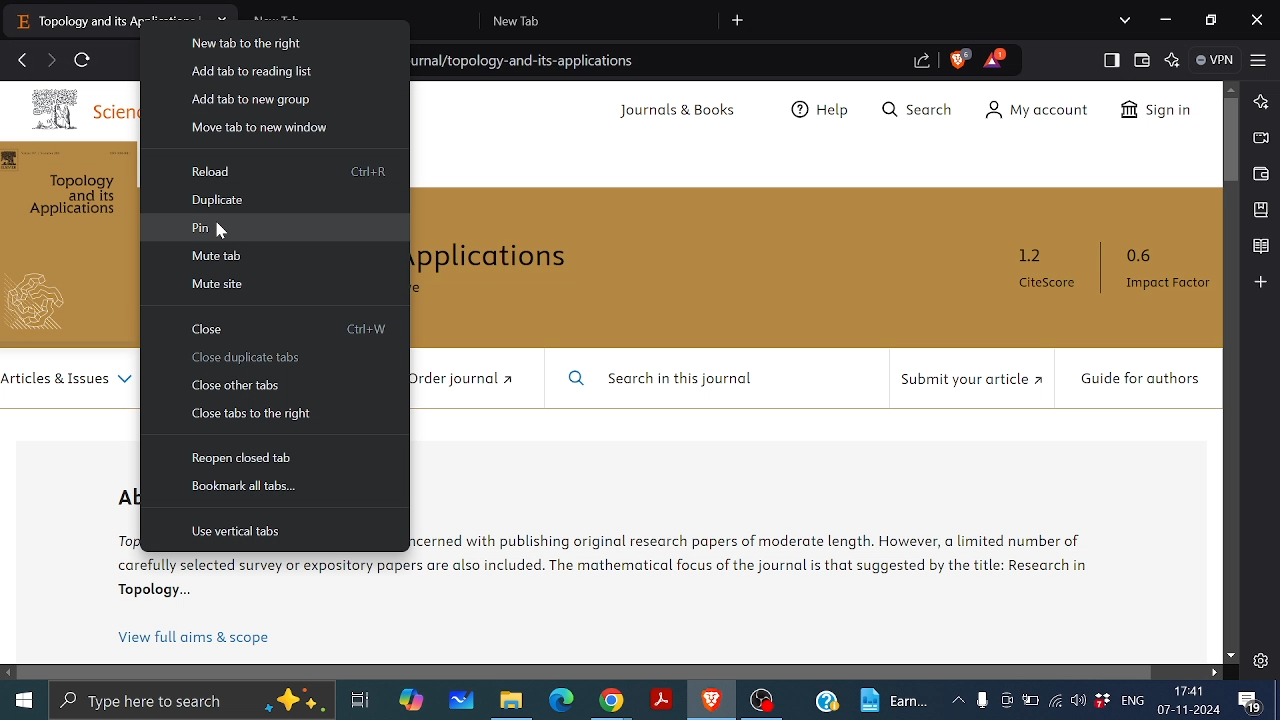 The width and height of the screenshot is (1280, 720). What do you see at coordinates (365, 328) in the screenshot?
I see `Close shortcut Ctrl+W` at bounding box center [365, 328].